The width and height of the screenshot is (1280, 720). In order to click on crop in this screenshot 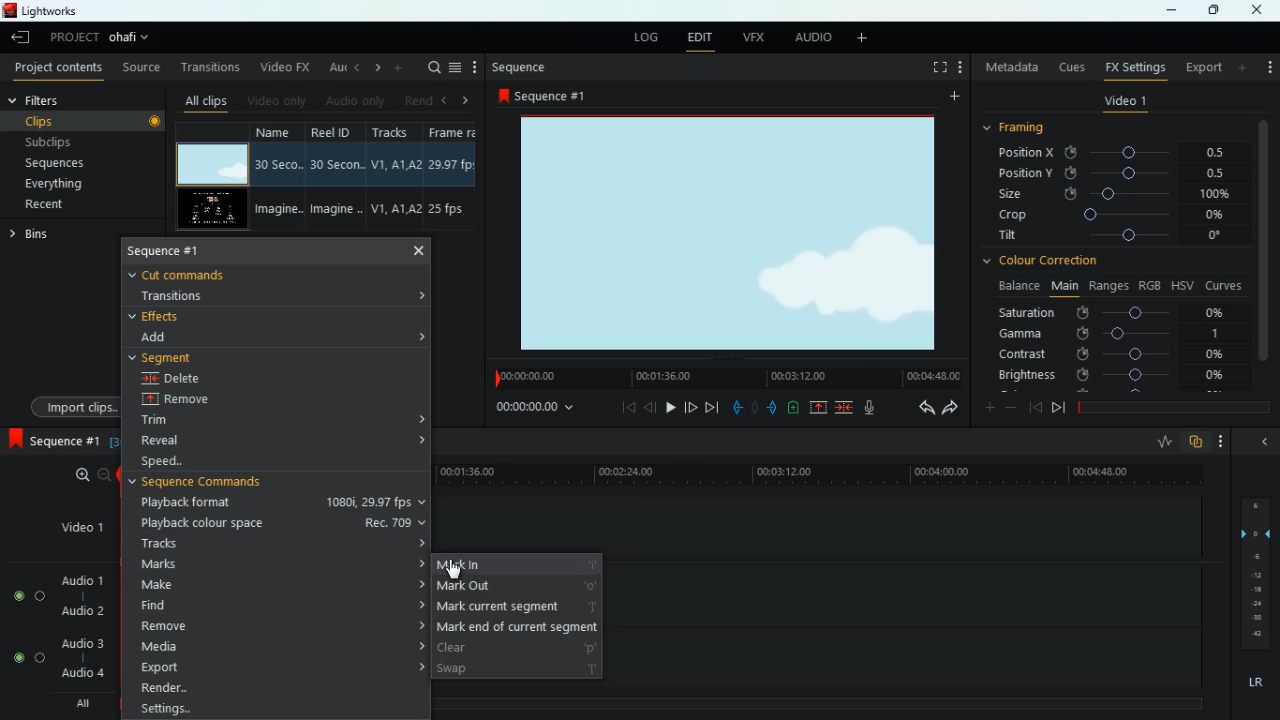, I will do `click(1109, 215)`.